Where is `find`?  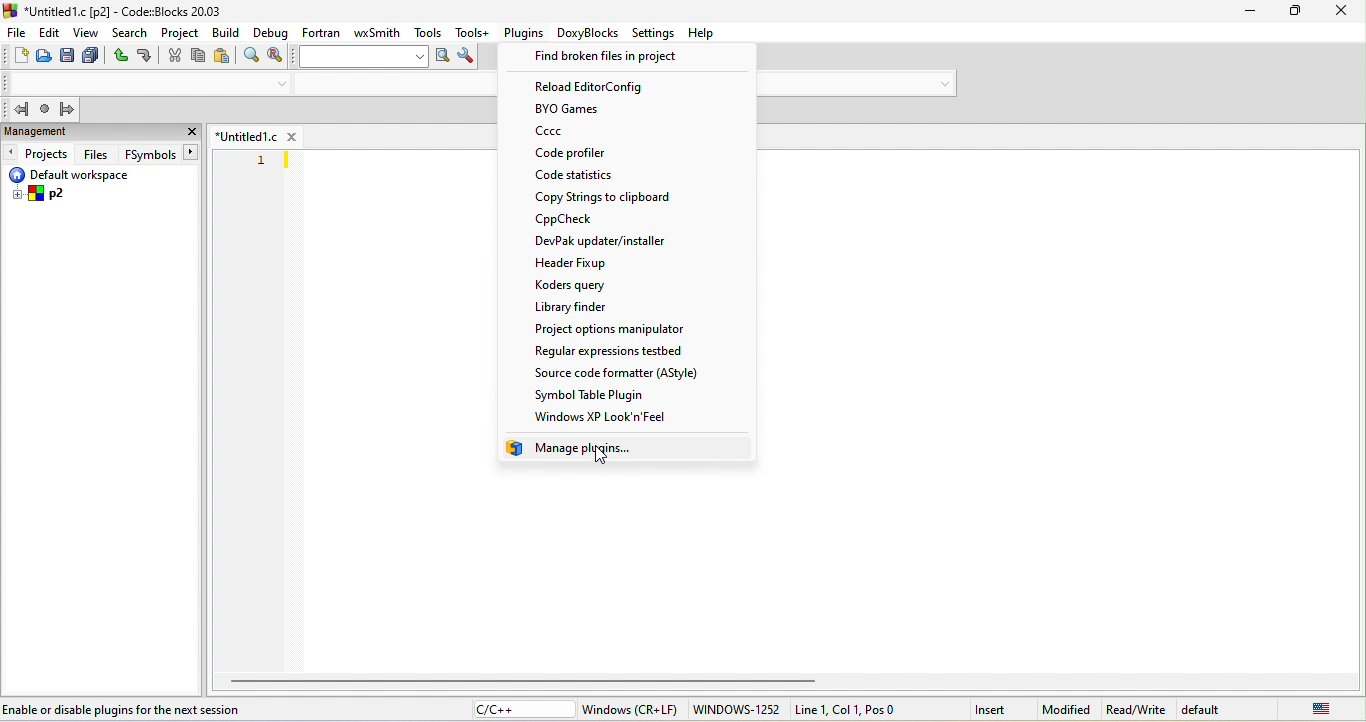 find is located at coordinates (255, 56).